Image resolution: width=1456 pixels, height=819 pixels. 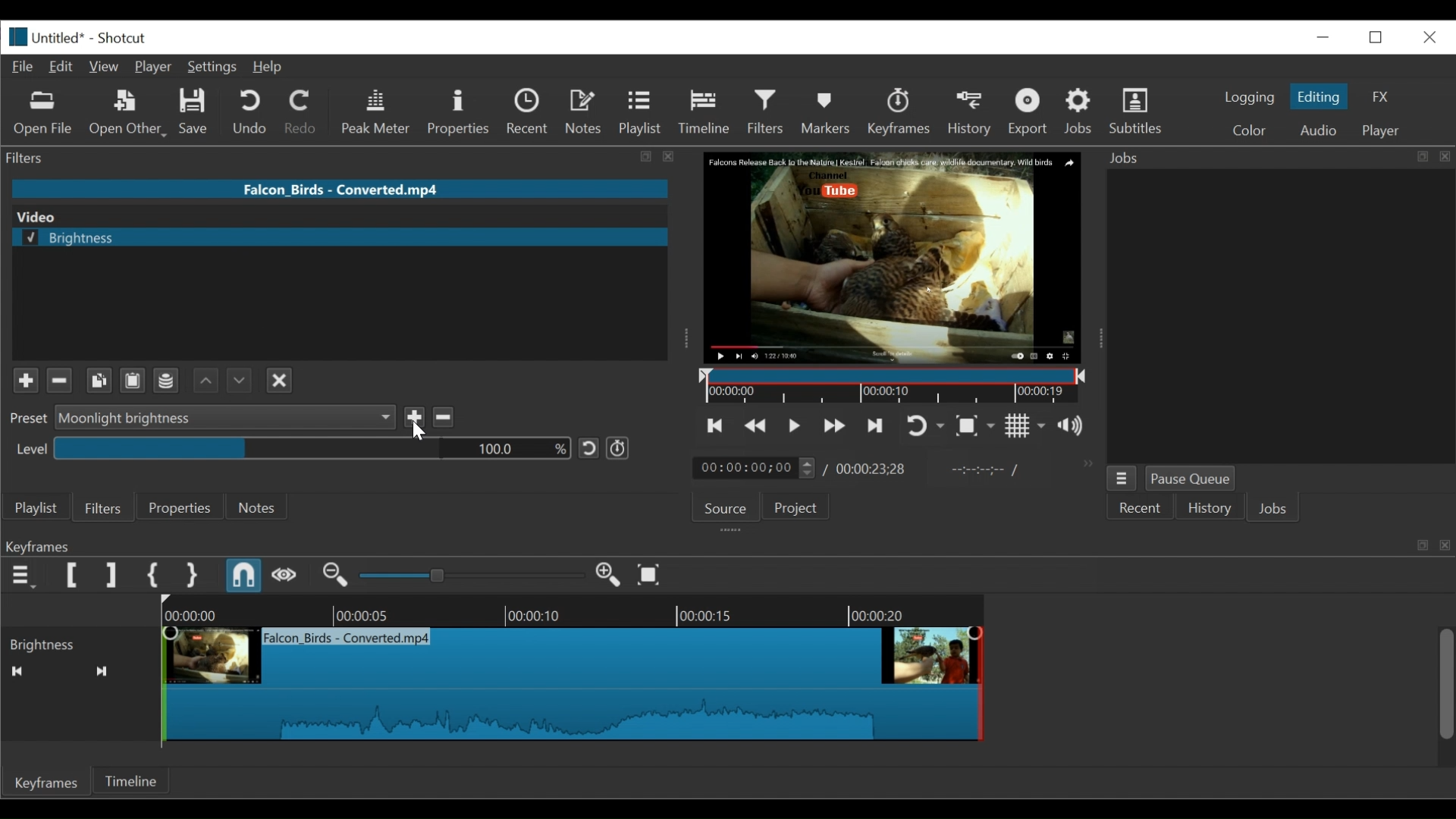 I want to click on Zoom keyframe out , so click(x=610, y=576).